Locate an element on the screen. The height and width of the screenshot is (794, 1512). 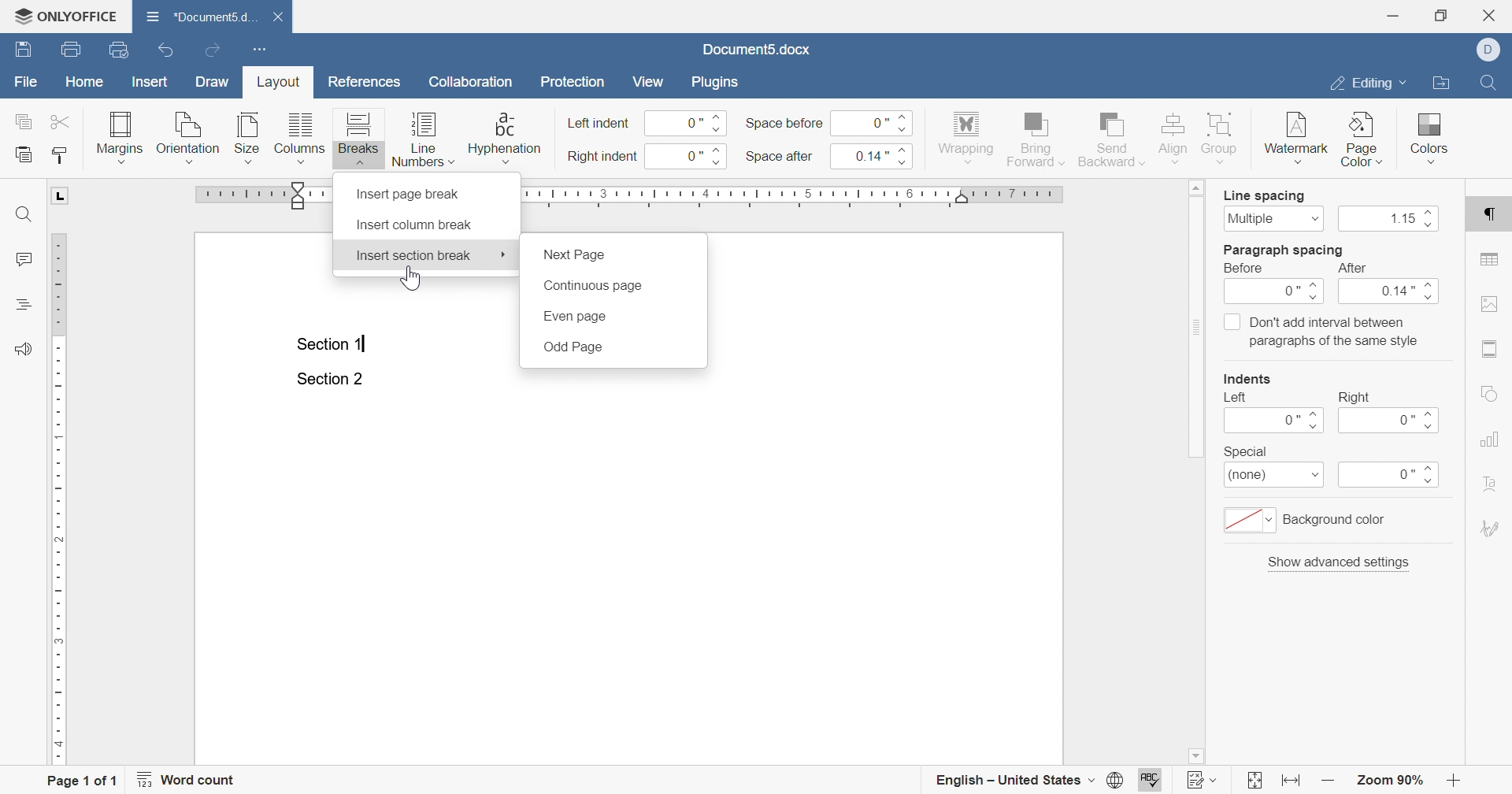
align is located at coordinates (1174, 137).